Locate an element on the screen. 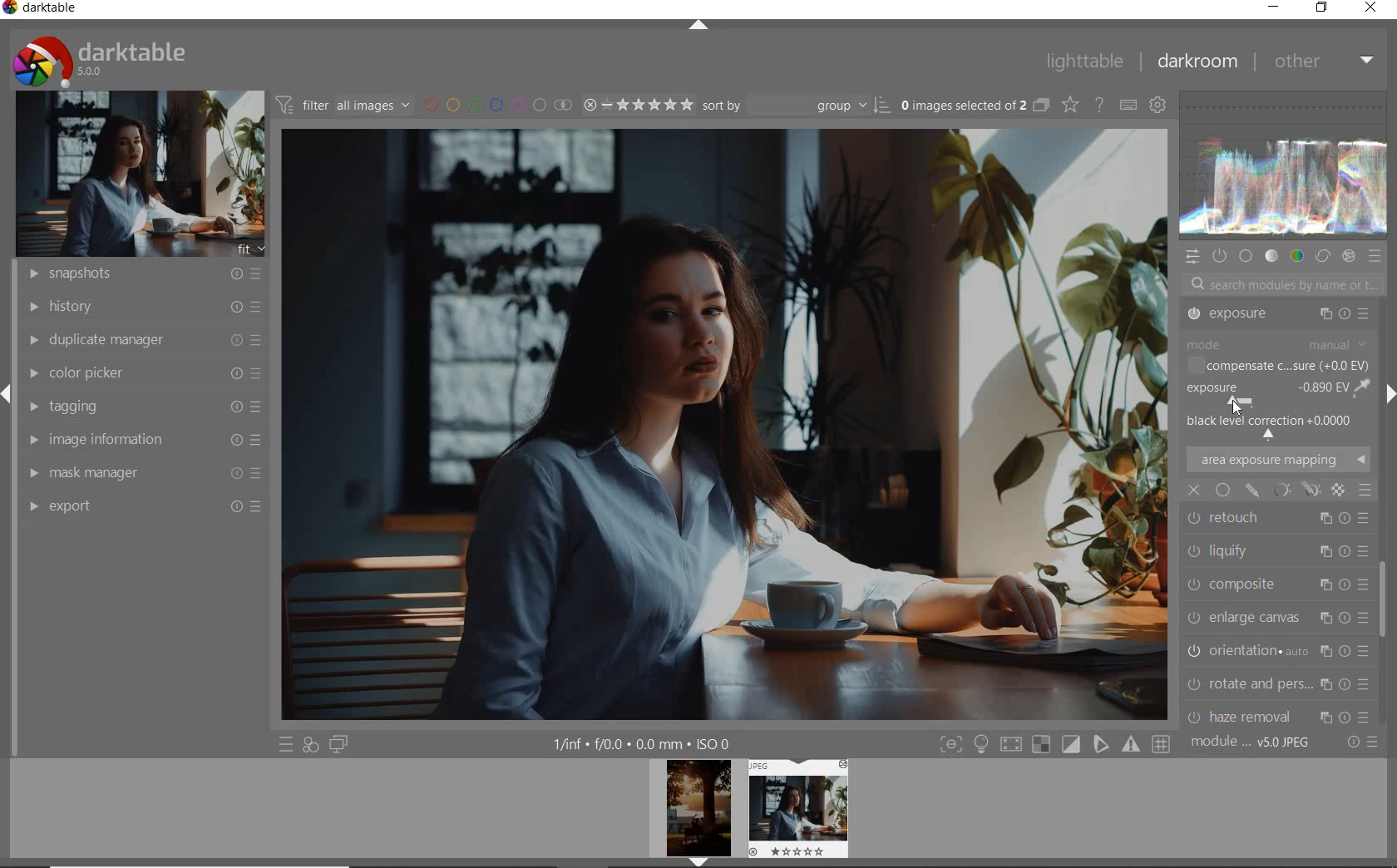 The image size is (1397, 868). TONE is located at coordinates (1271, 256).